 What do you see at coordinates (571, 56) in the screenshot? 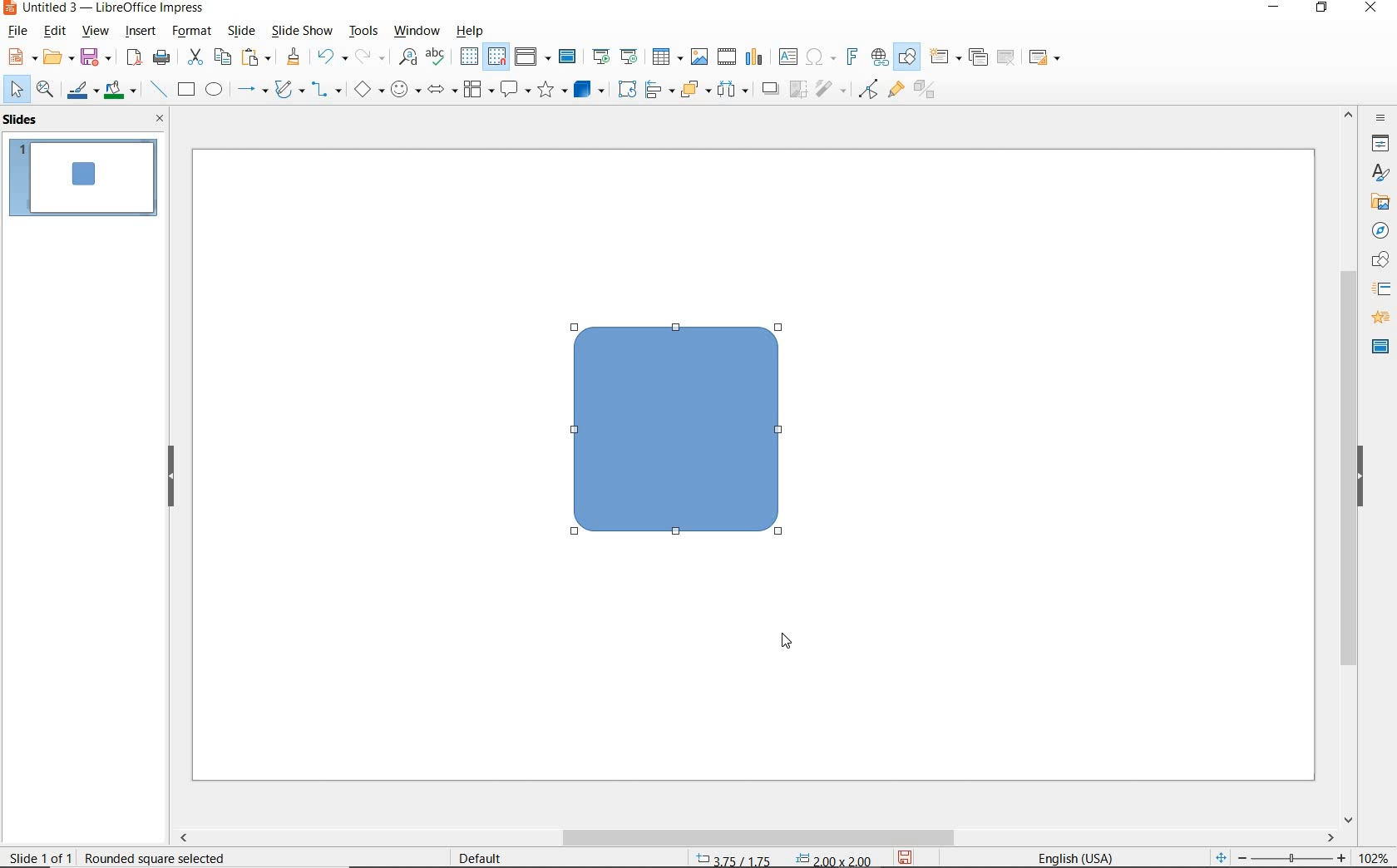
I see `master slide` at bounding box center [571, 56].